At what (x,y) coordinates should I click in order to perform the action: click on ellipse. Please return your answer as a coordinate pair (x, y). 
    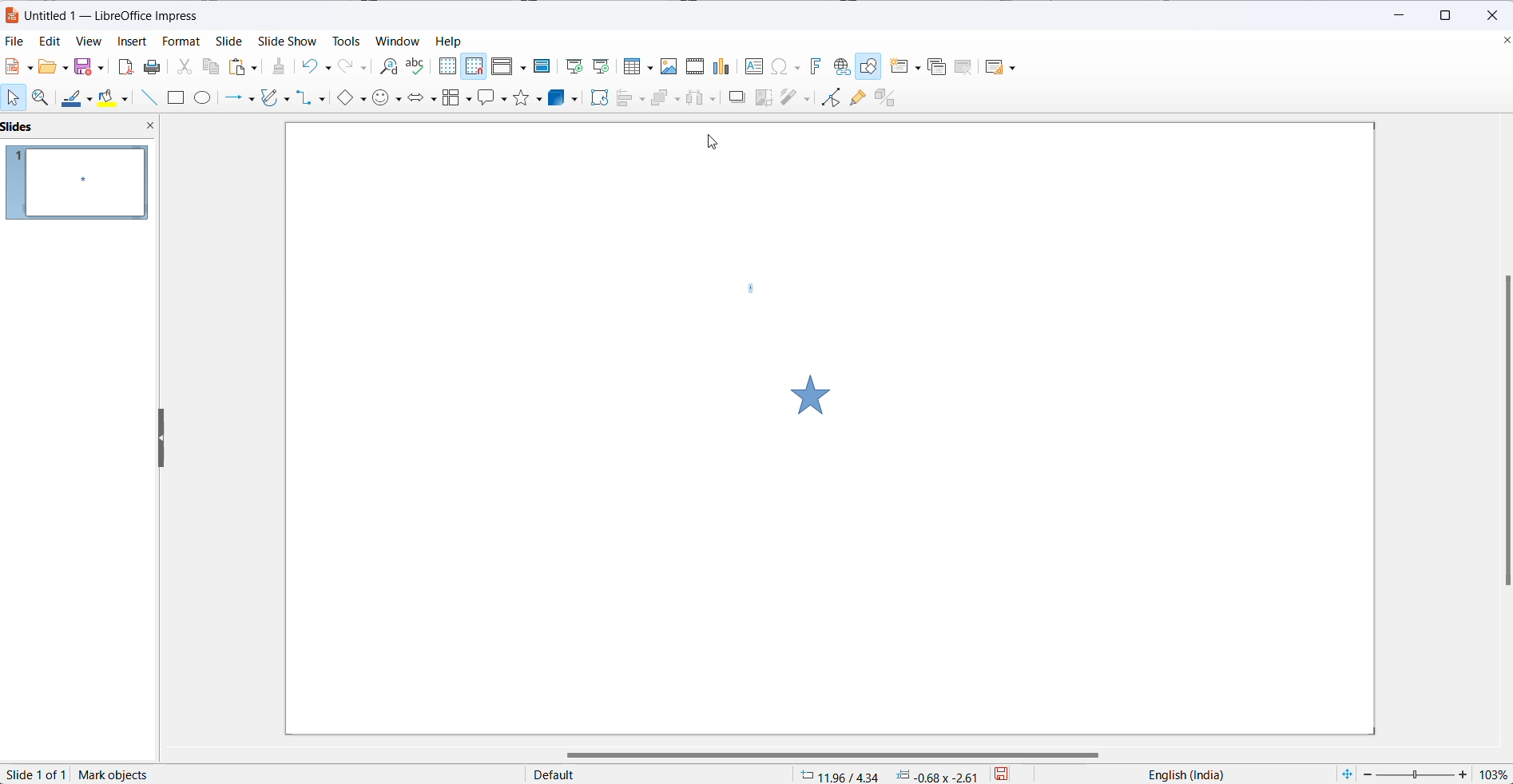
    Looking at the image, I should click on (206, 97).